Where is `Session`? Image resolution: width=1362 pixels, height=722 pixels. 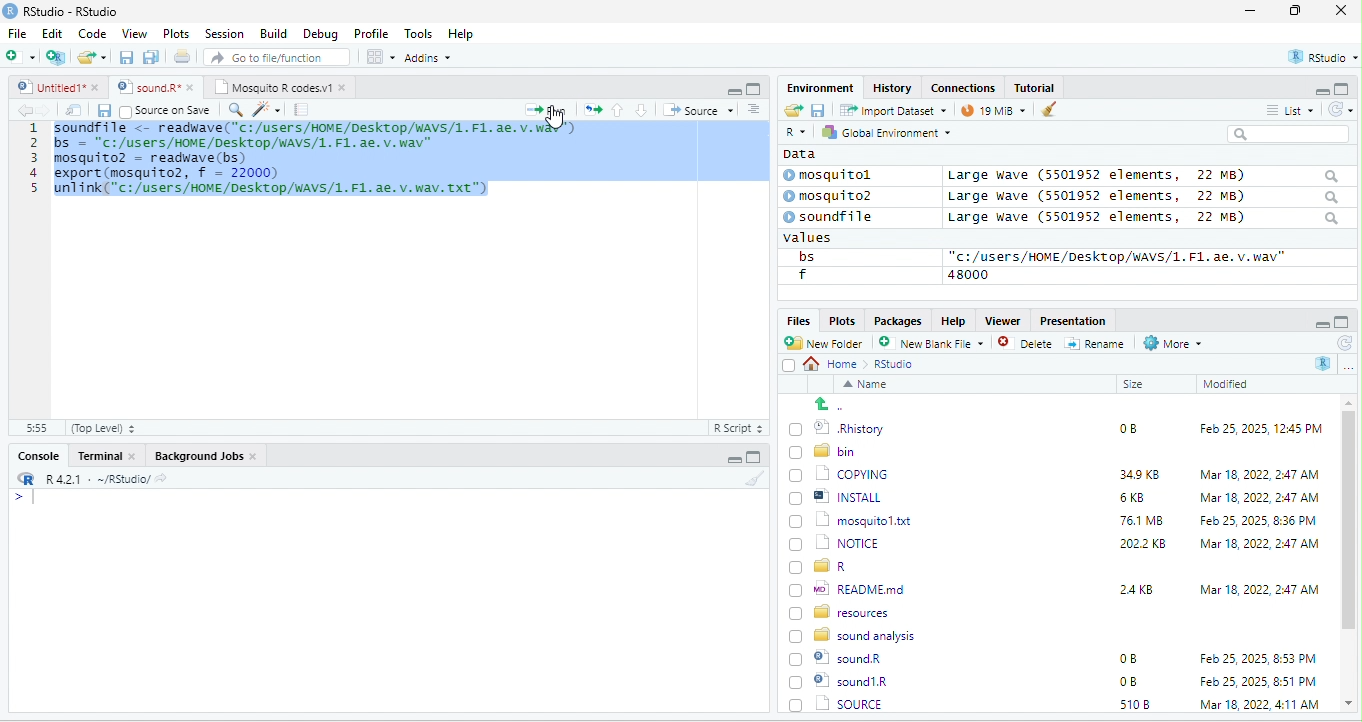
Session is located at coordinates (225, 32).